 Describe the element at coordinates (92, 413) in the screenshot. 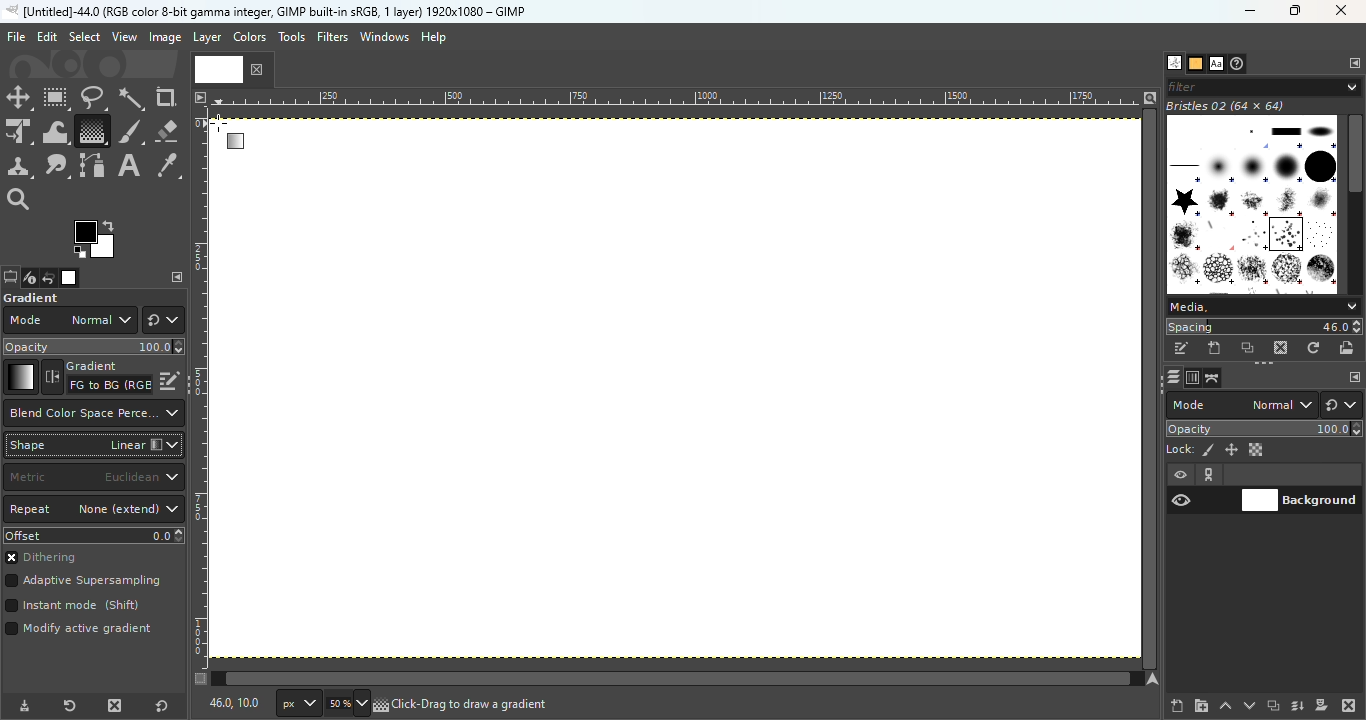

I see `Which color space to use when blending RGB gradient segments` at that location.